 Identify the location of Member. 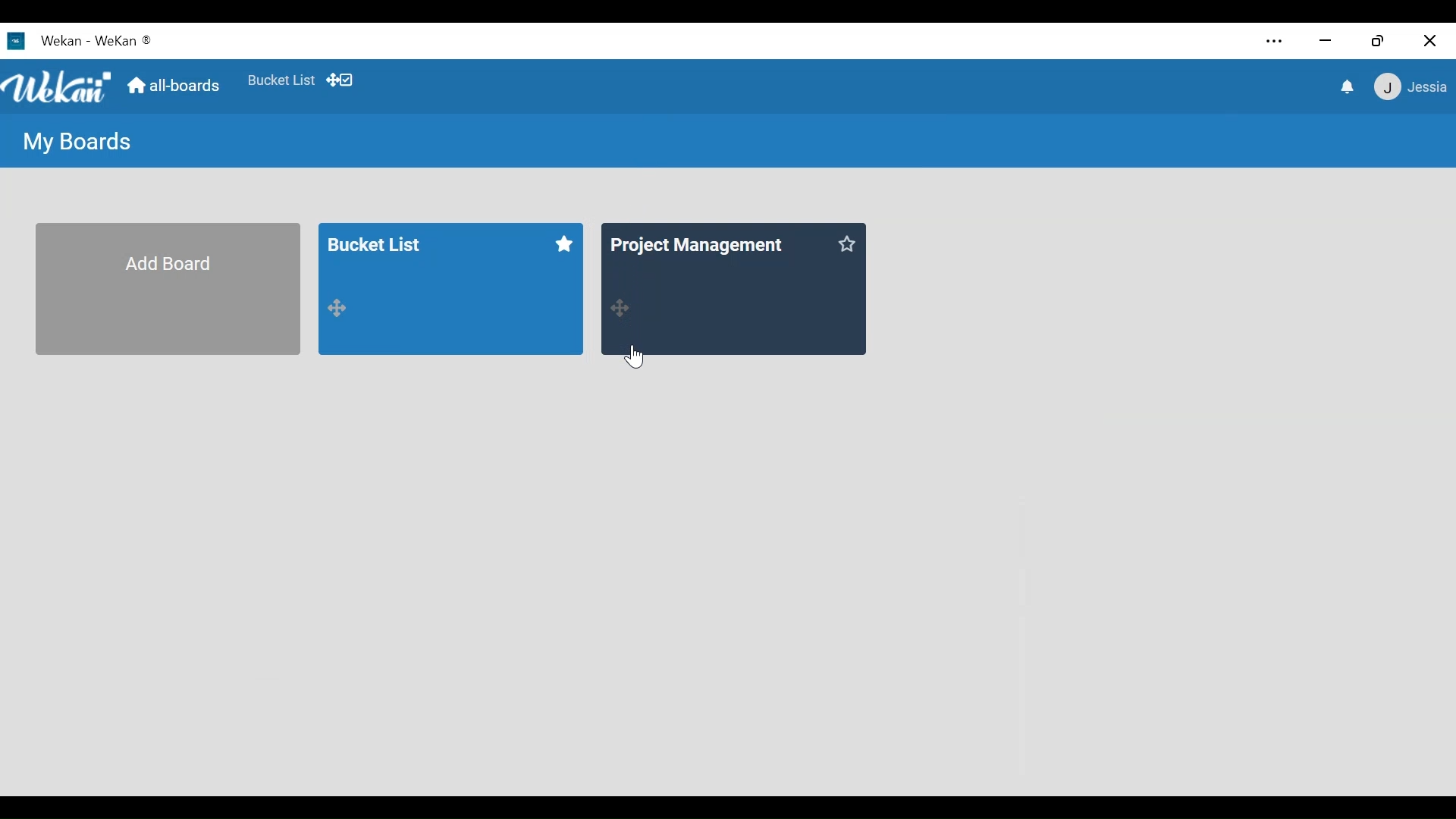
(1413, 86).